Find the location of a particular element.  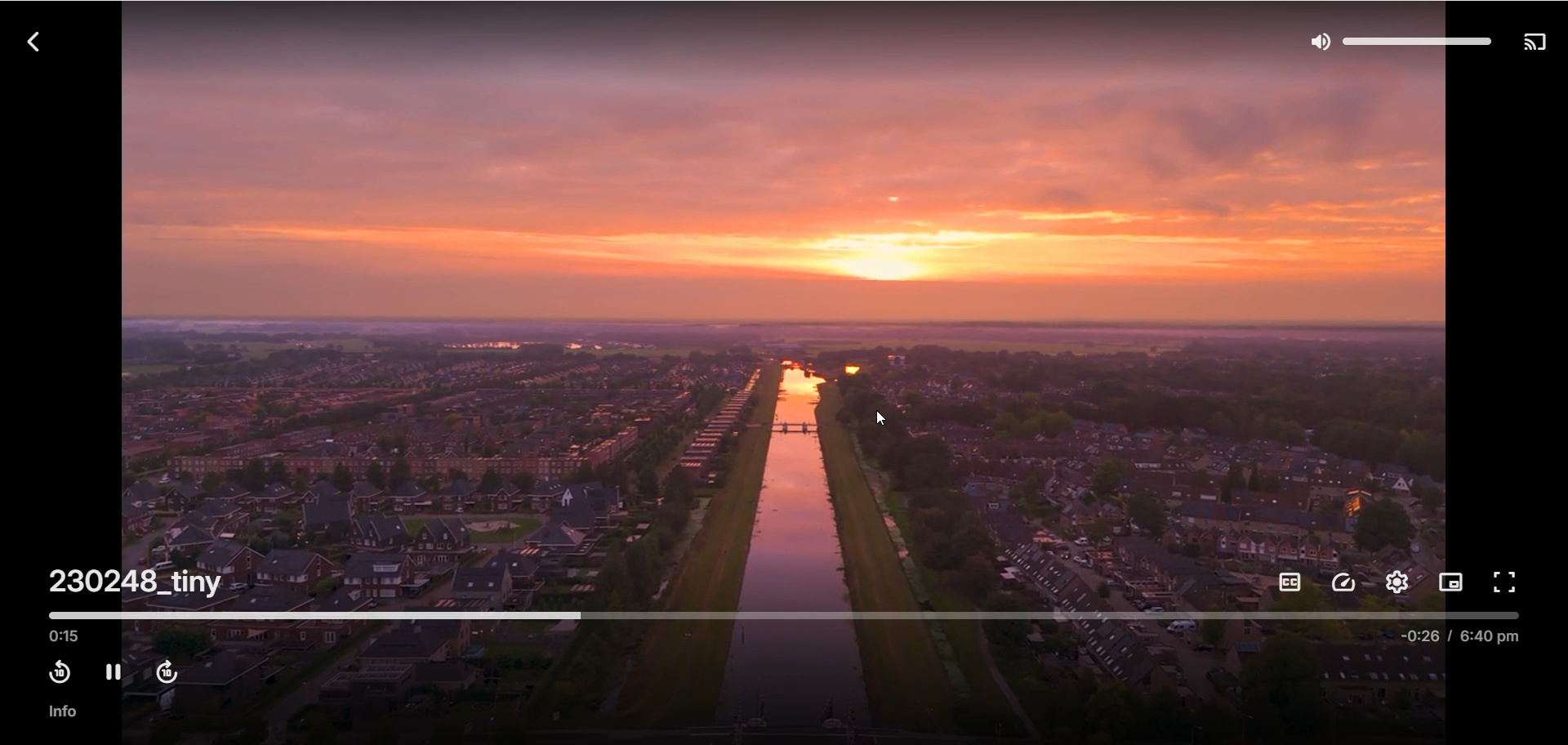

rewind is located at coordinates (58, 671).